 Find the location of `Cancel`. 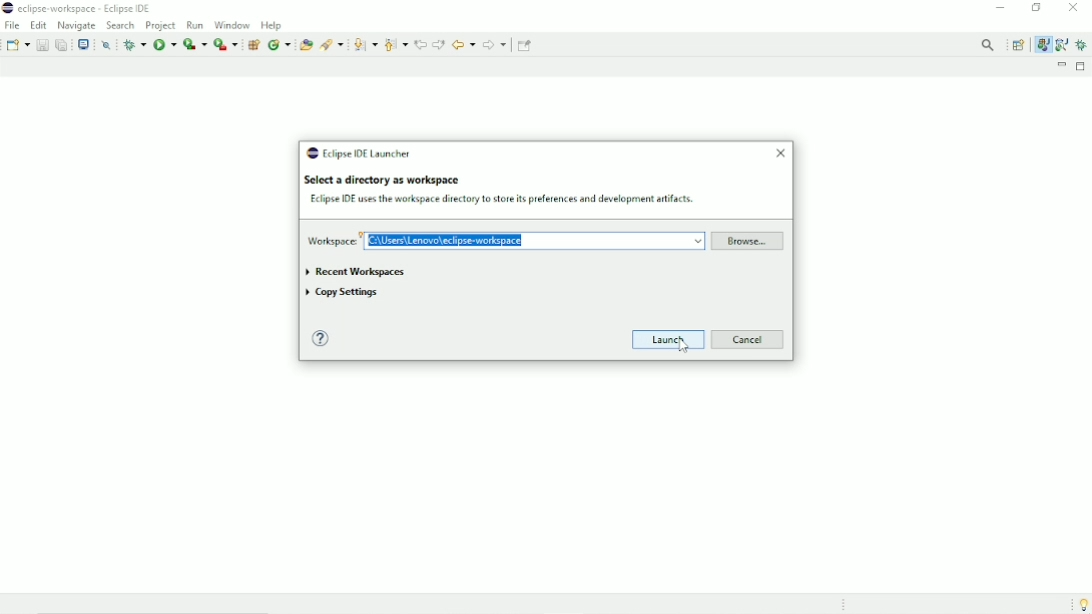

Cancel is located at coordinates (751, 339).